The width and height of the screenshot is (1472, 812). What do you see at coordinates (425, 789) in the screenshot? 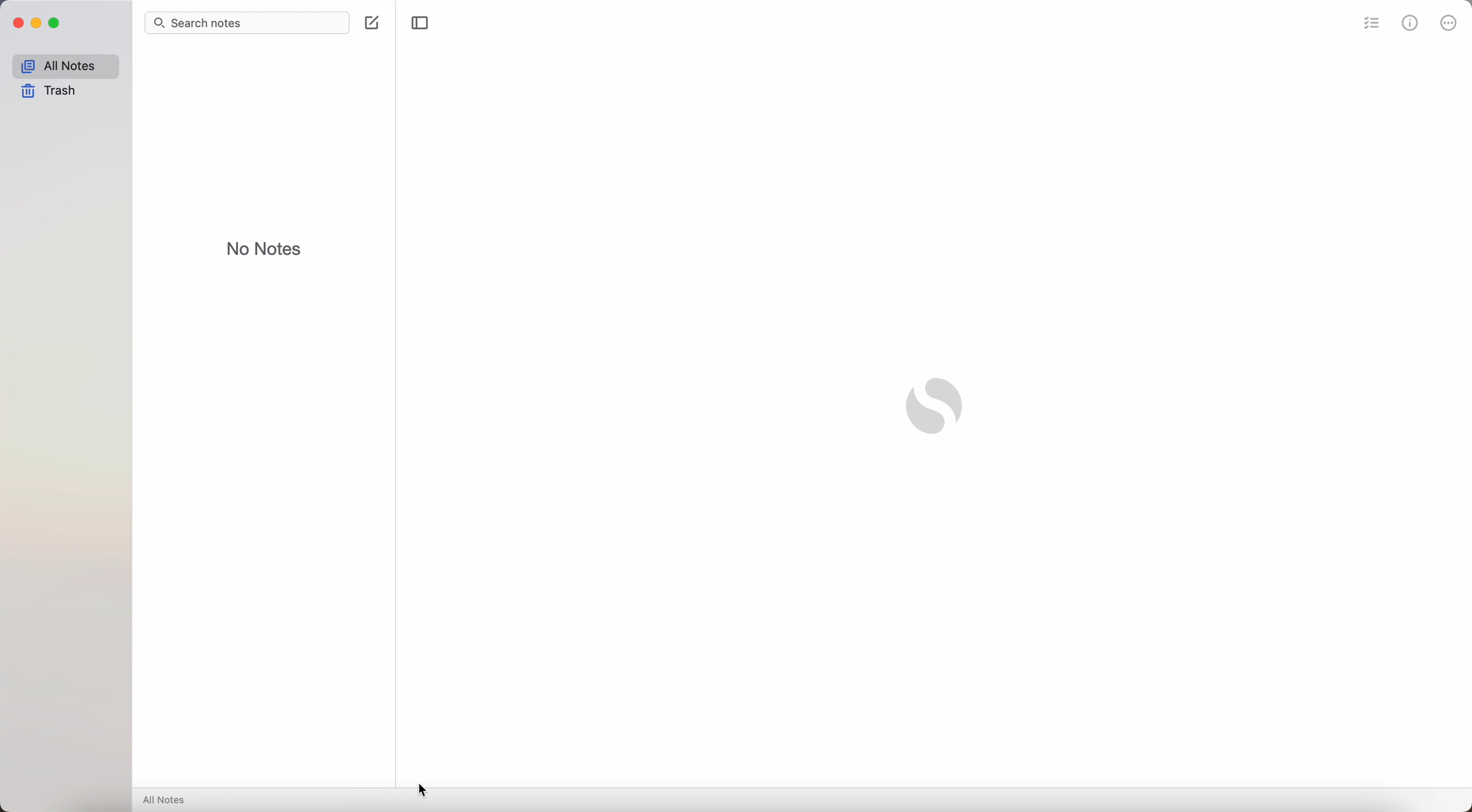
I see `cursor` at bounding box center [425, 789].